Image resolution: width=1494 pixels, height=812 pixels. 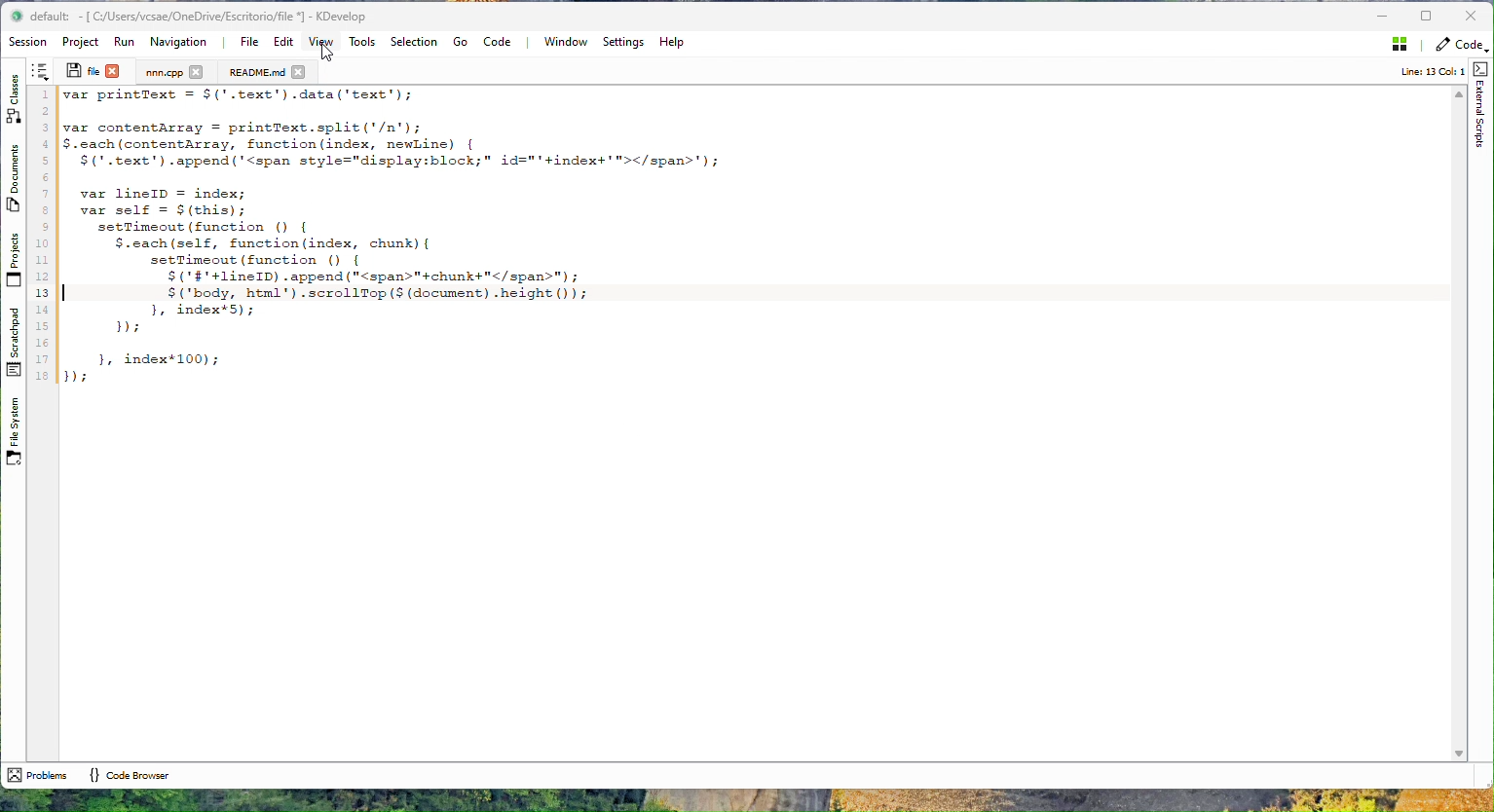 I want to click on close, so click(x=196, y=71).